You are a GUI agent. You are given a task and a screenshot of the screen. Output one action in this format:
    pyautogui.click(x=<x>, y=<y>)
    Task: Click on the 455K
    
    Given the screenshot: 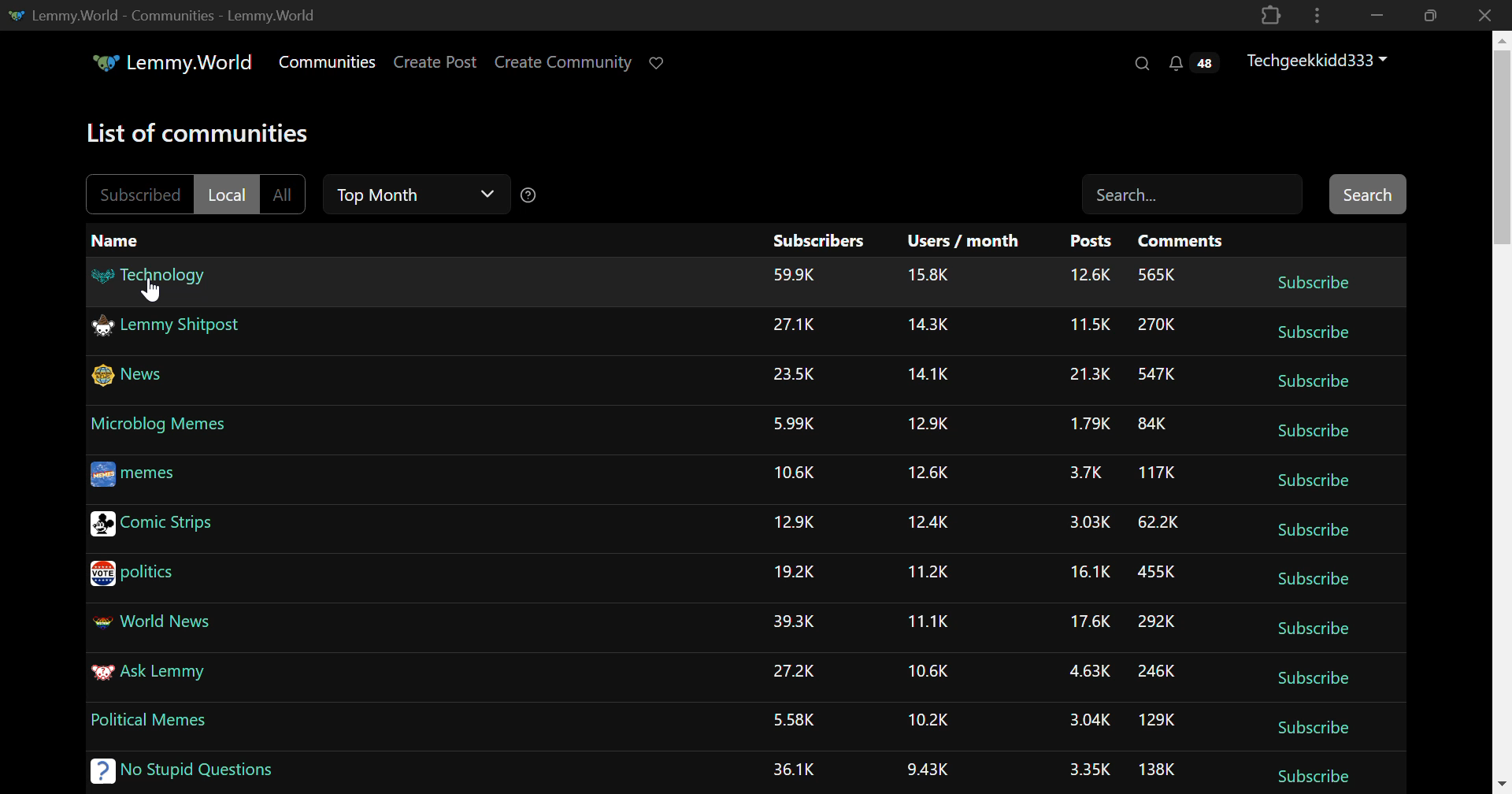 What is the action you would take?
    pyautogui.click(x=1154, y=573)
    